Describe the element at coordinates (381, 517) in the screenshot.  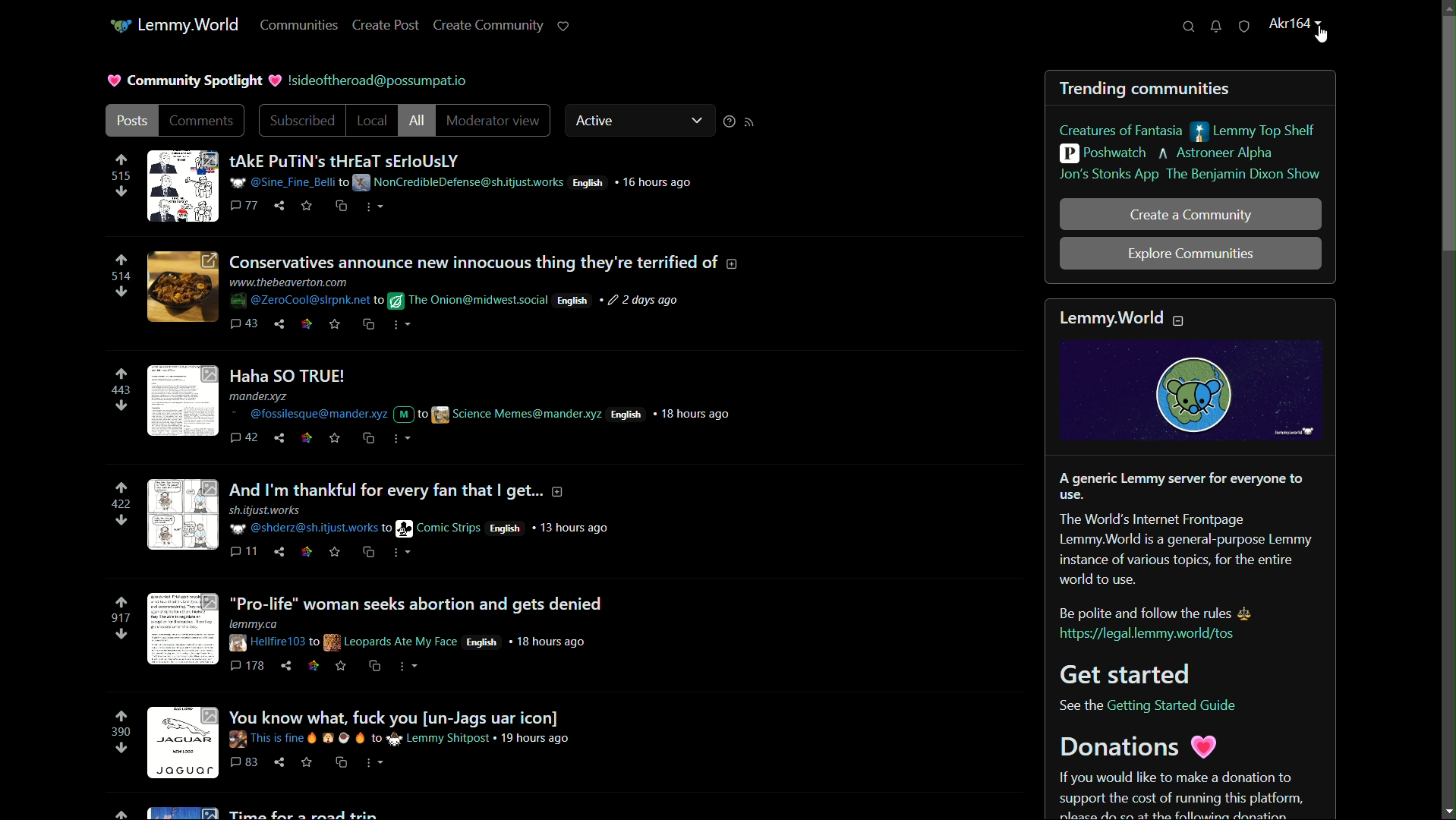
I see `post-4` at that location.